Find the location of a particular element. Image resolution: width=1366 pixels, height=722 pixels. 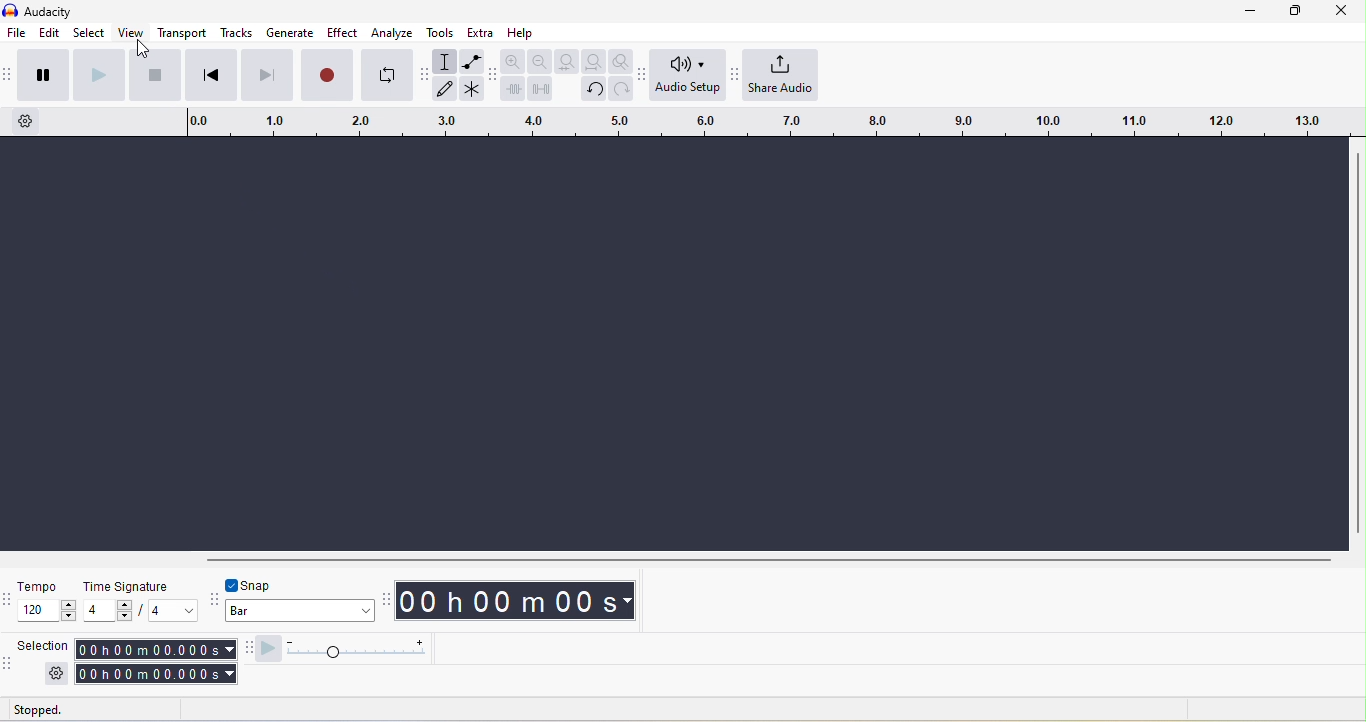

analyze is located at coordinates (392, 33).